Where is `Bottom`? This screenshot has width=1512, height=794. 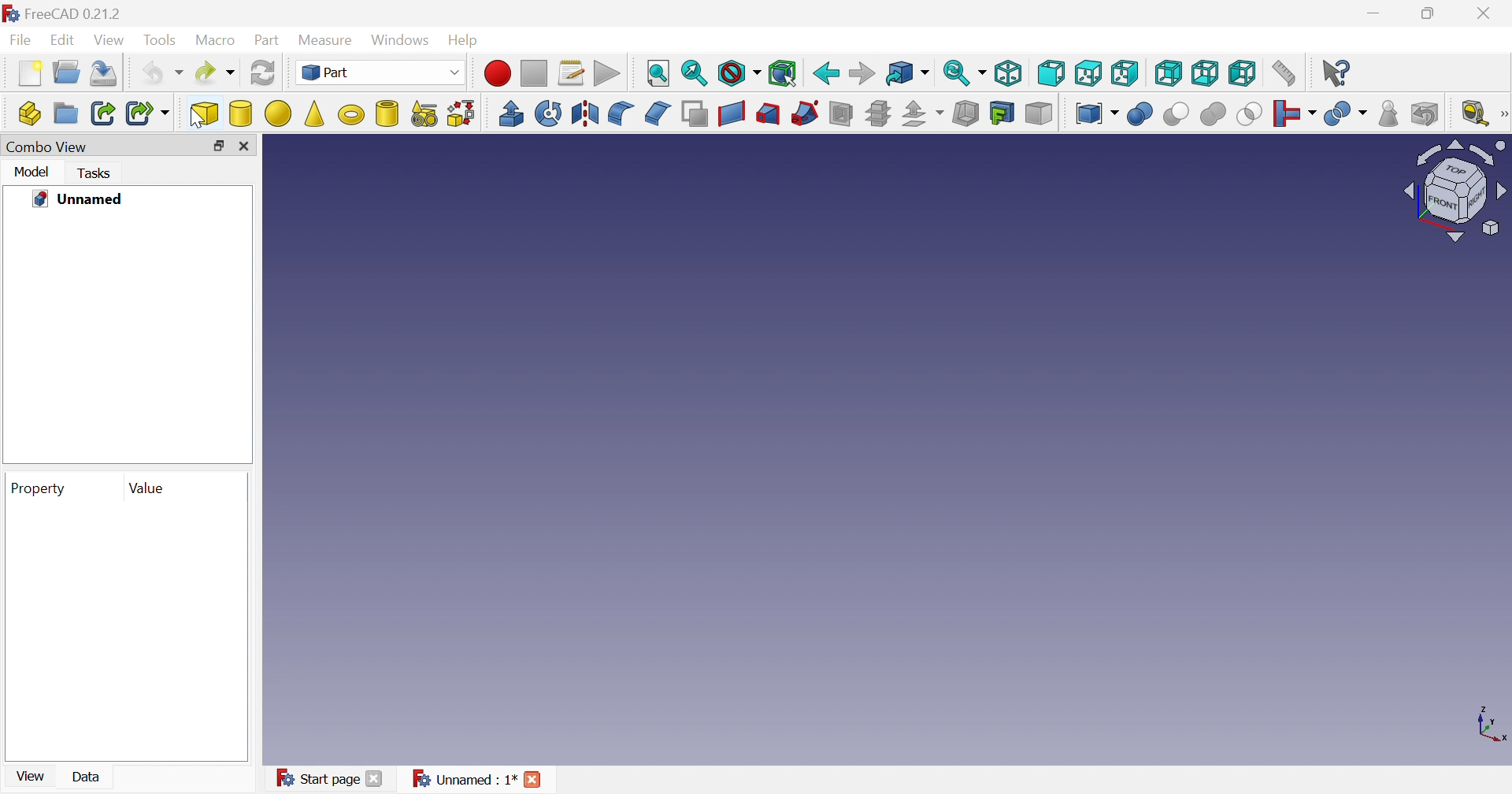 Bottom is located at coordinates (1205, 74).